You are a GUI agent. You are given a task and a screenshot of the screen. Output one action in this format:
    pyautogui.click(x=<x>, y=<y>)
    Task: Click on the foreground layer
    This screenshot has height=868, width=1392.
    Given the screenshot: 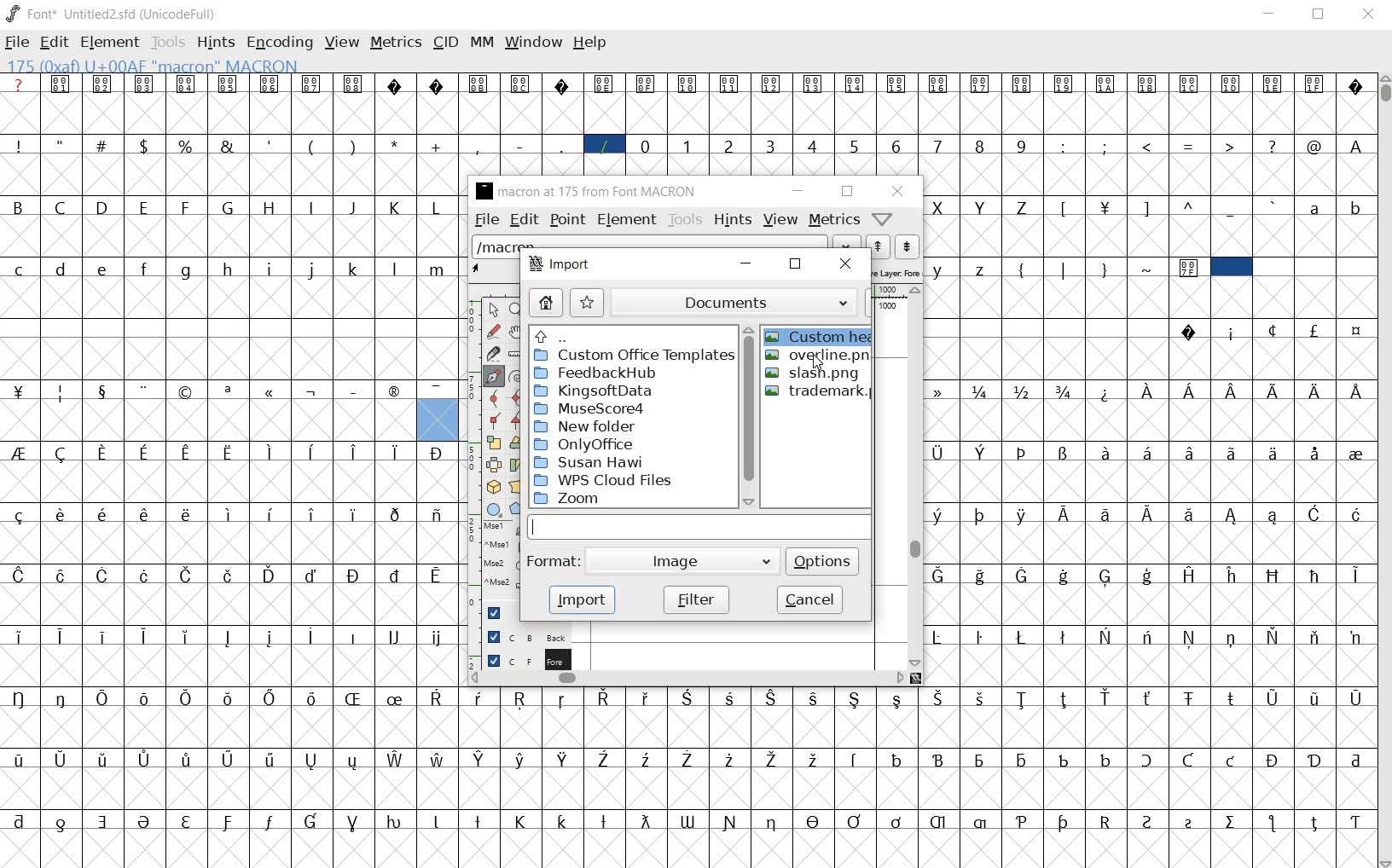 What is the action you would take?
    pyautogui.click(x=528, y=660)
    